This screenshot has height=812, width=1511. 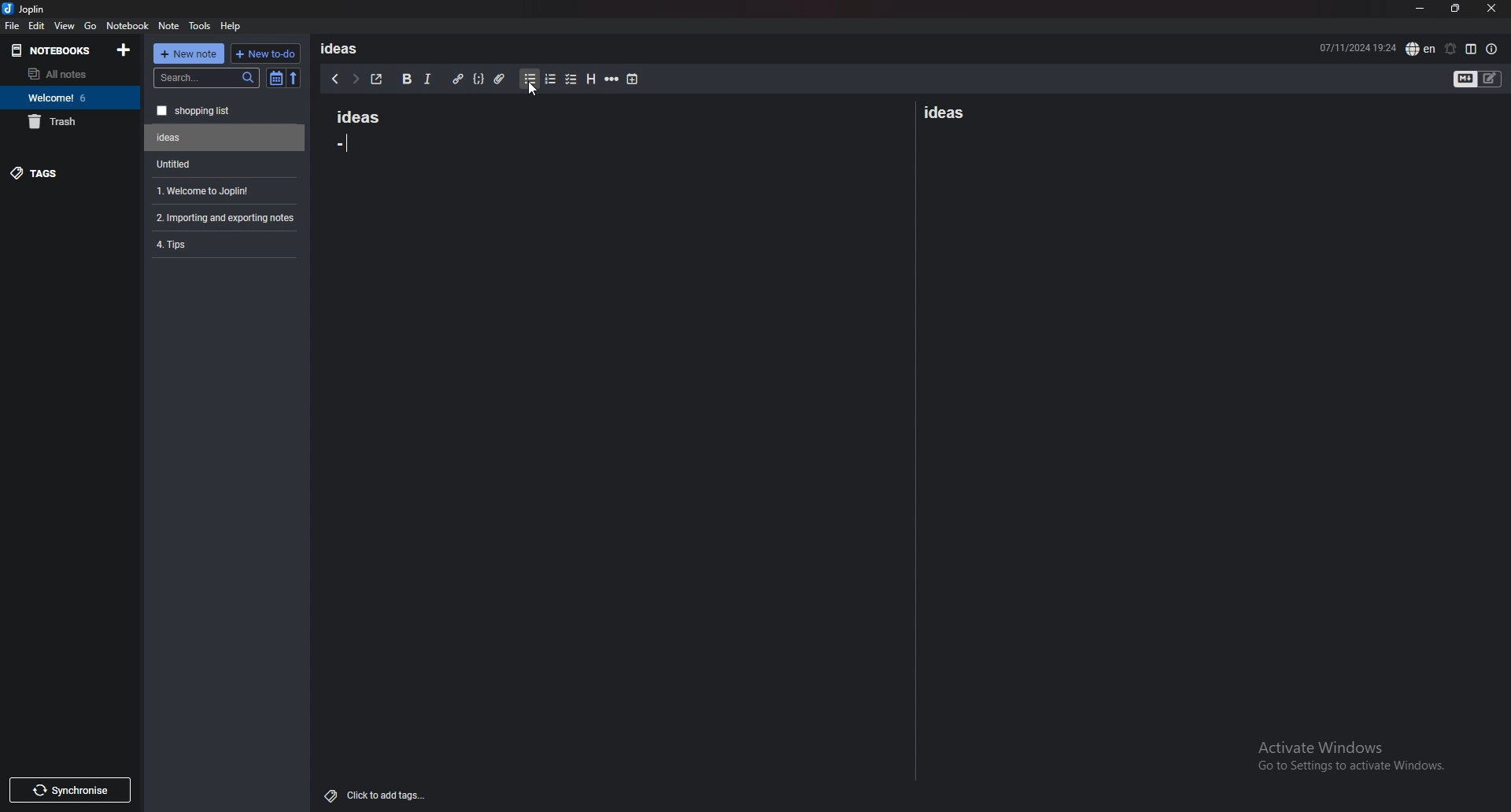 What do you see at coordinates (1491, 9) in the screenshot?
I see `close` at bounding box center [1491, 9].